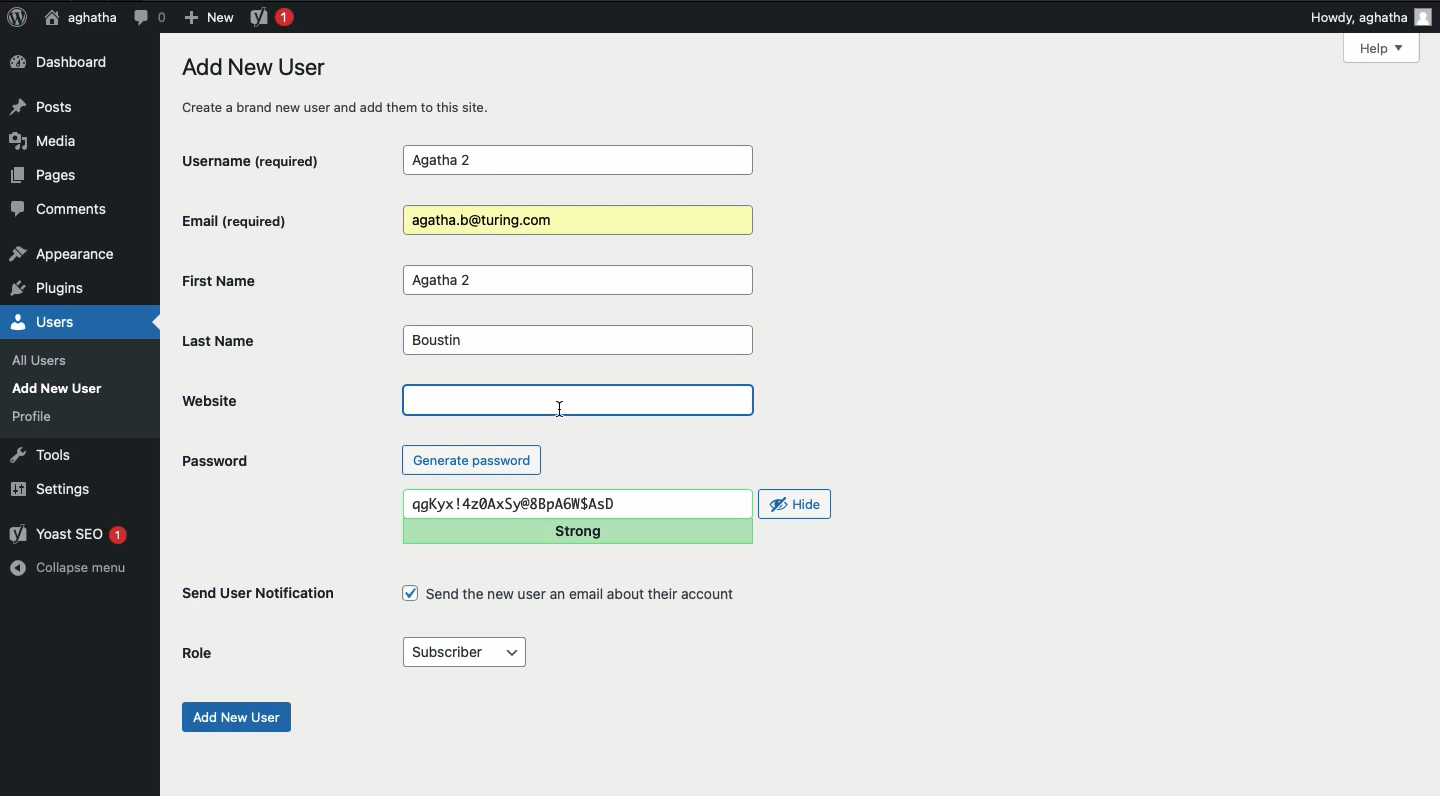 The image size is (1440, 796). Describe the element at coordinates (17, 18) in the screenshot. I see `Logo` at that location.